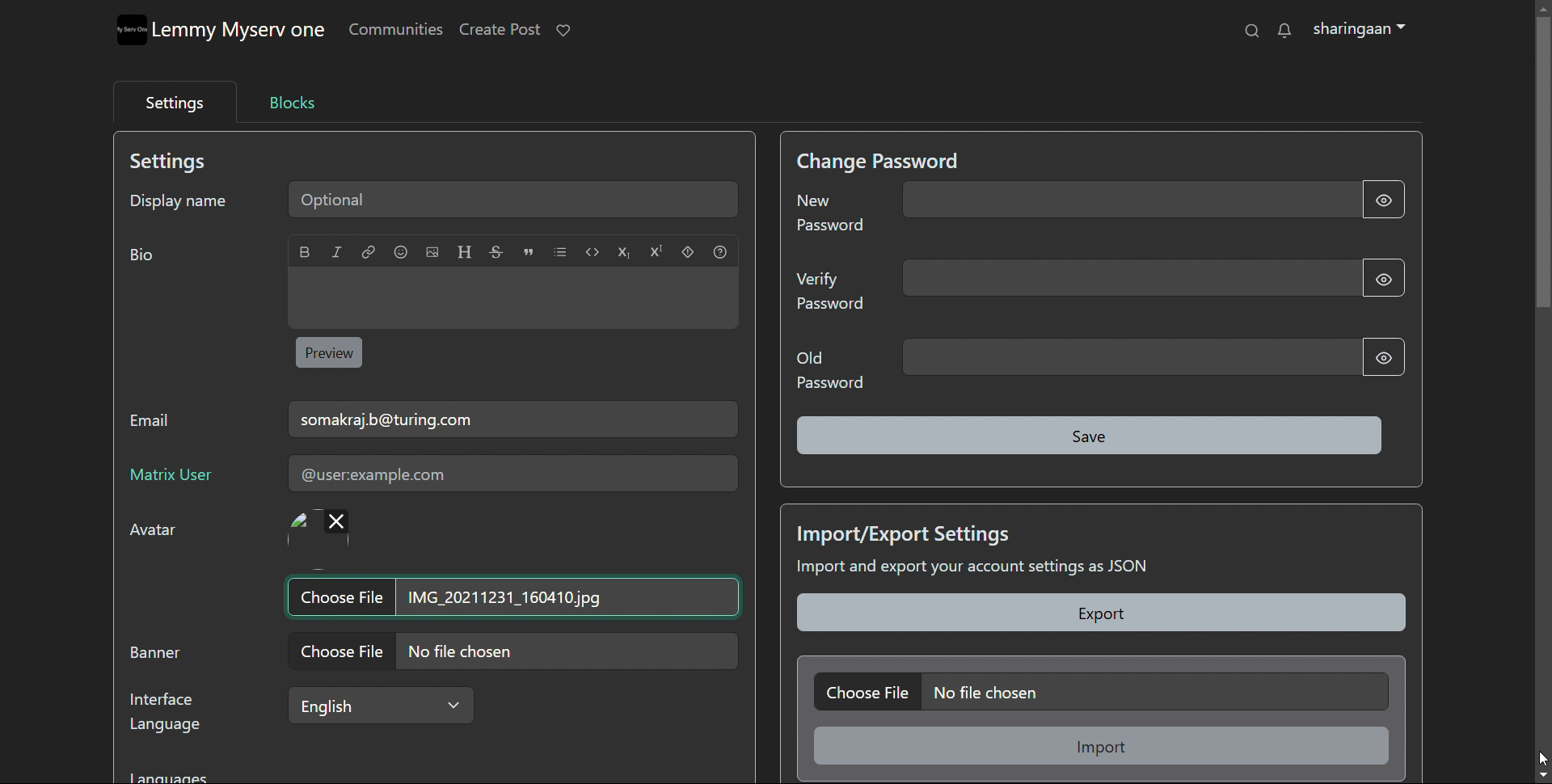  What do you see at coordinates (1129, 200) in the screenshot?
I see `new password` at bounding box center [1129, 200].